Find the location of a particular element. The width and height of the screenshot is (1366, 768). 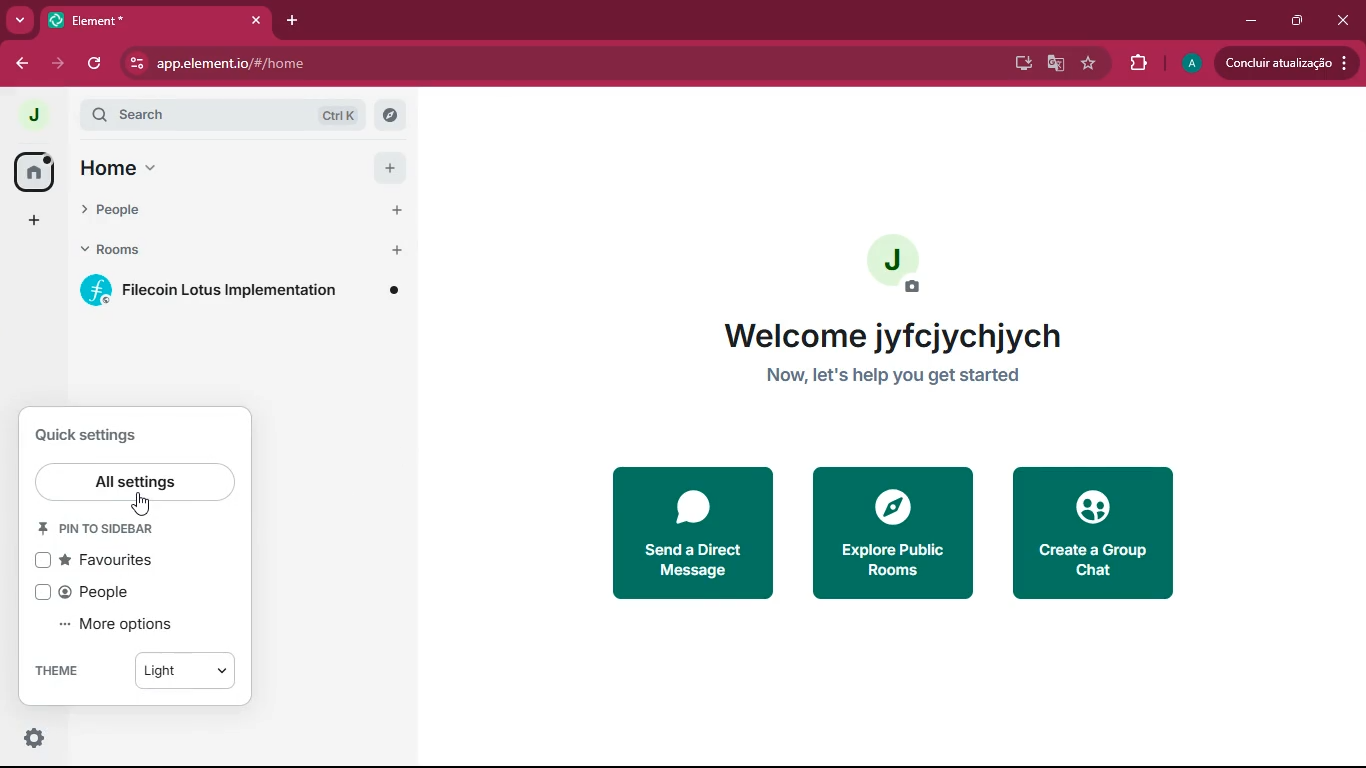

favourites is located at coordinates (117, 561).